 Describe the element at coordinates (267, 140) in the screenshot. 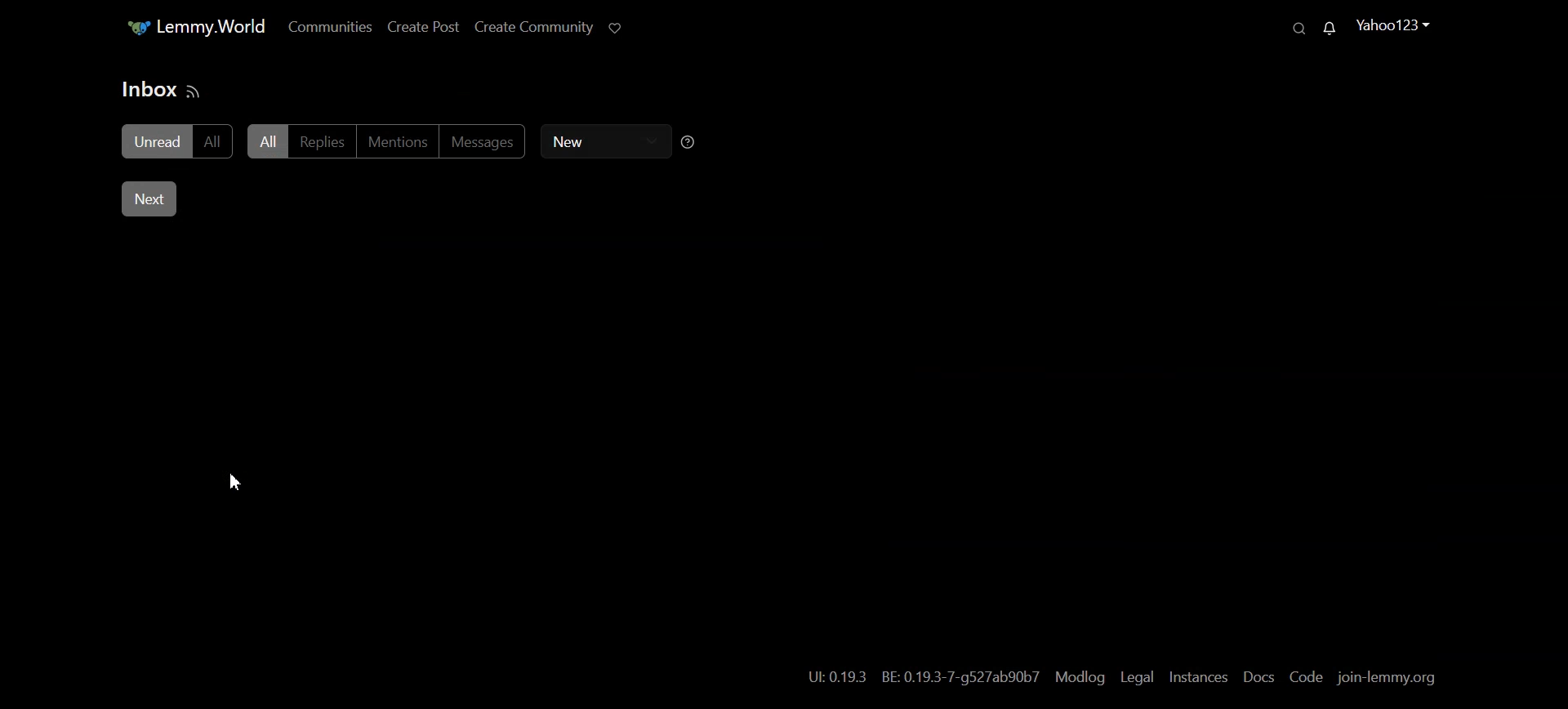

I see `All` at that location.